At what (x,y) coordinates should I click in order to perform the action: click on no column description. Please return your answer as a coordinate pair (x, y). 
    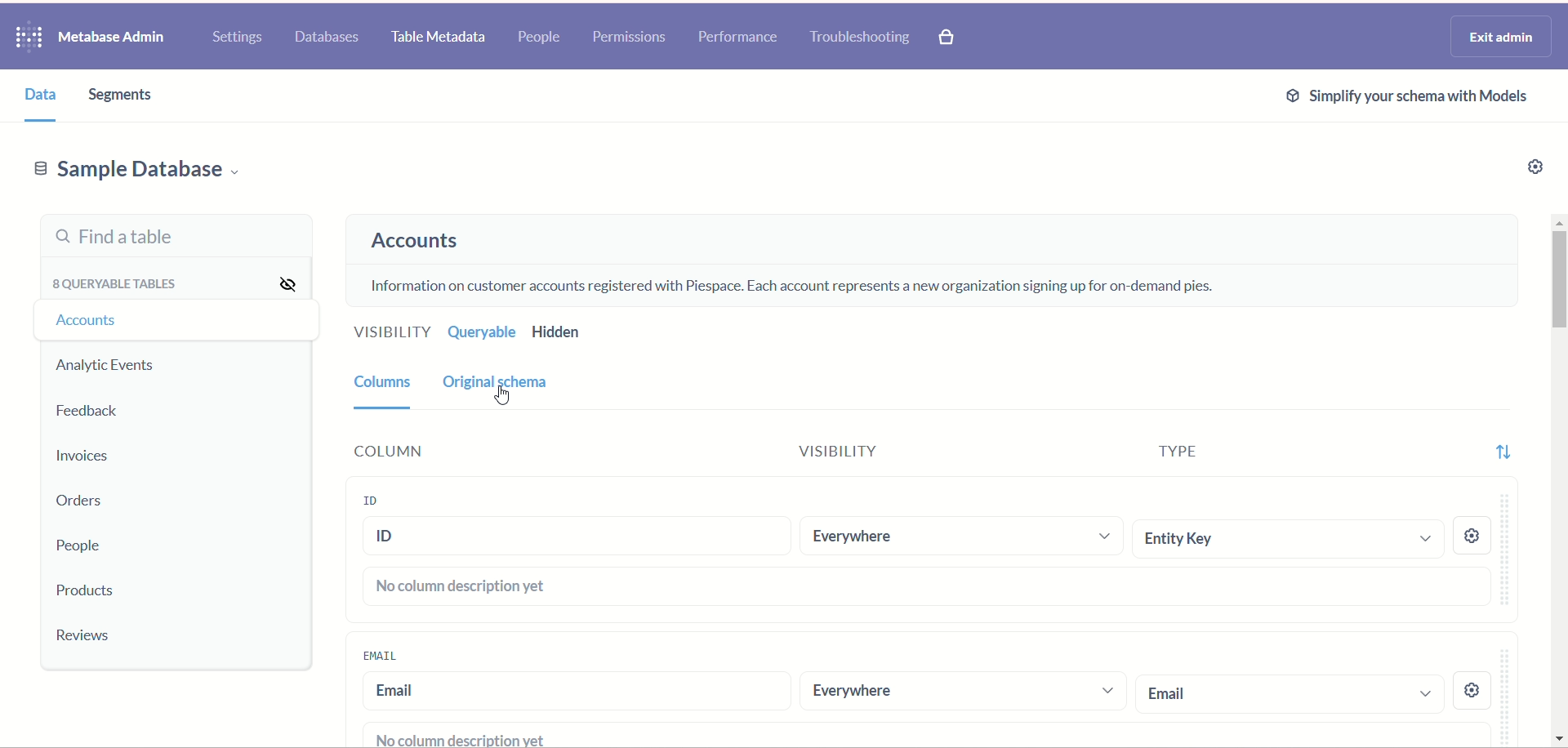
    Looking at the image, I should click on (929, 585).